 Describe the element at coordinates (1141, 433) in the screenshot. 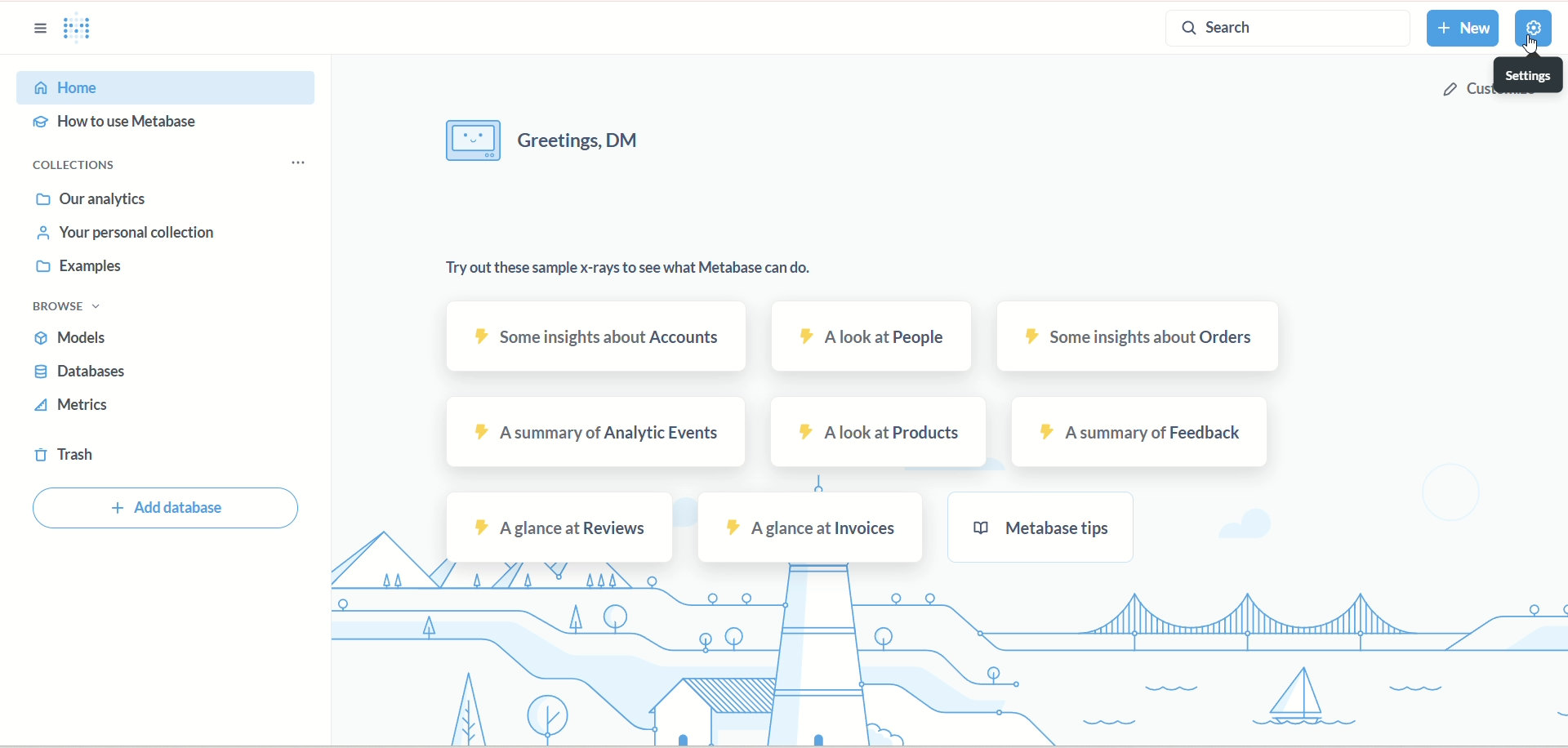

I see `A summary of feedback` at that location.